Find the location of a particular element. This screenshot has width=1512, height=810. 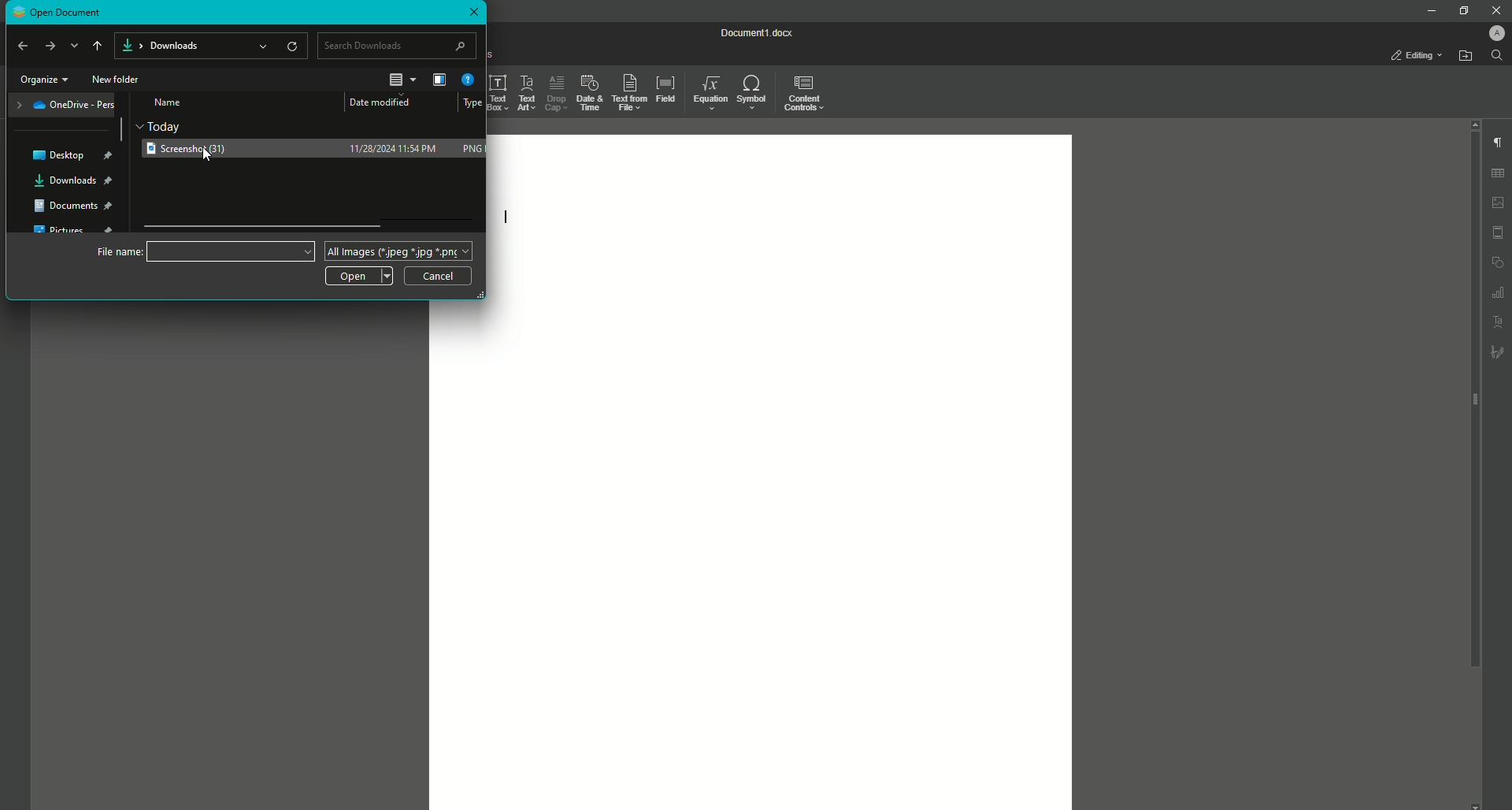

Open is located at coordinates (357, 277).